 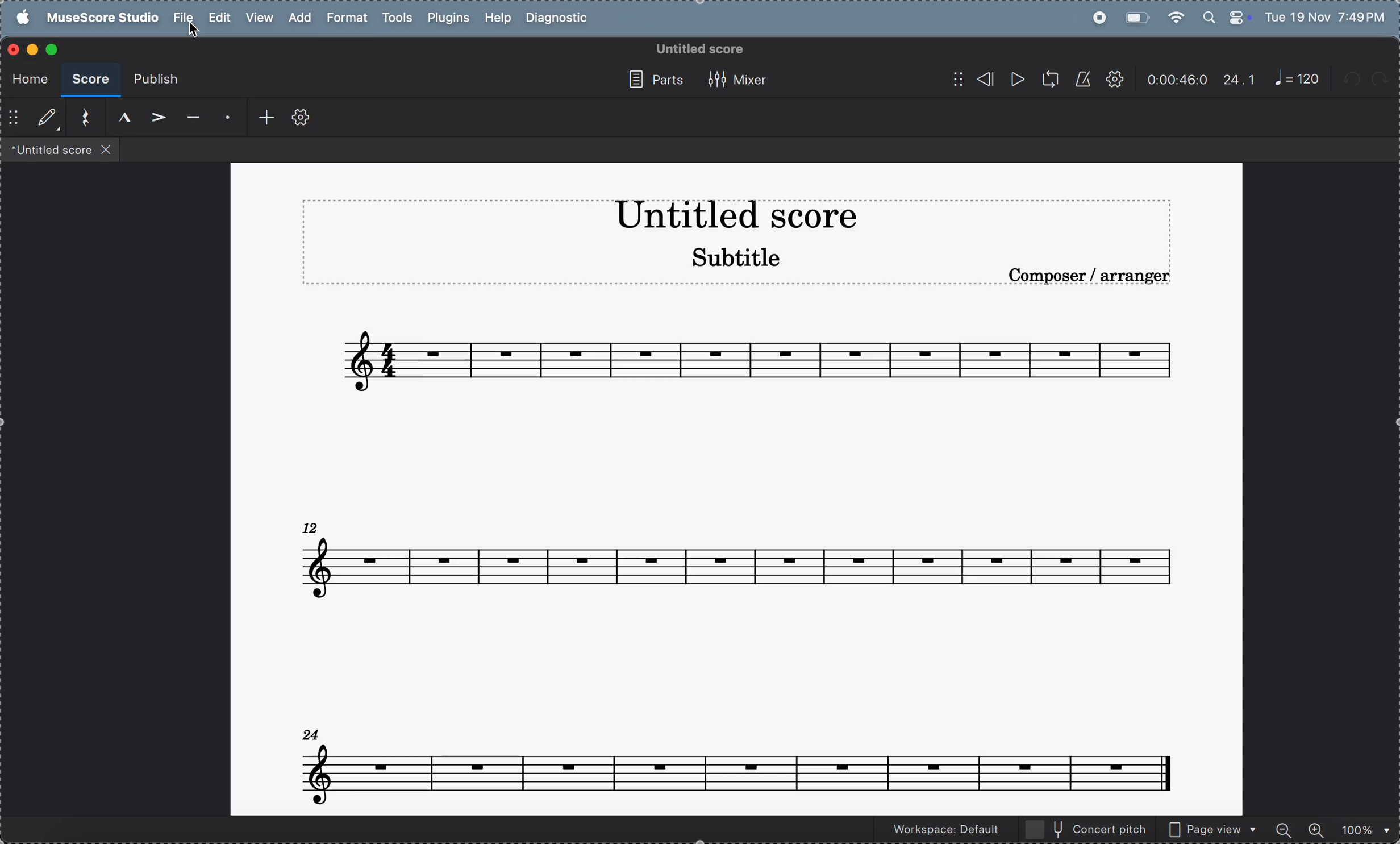 What do you see at coordinates (301, 118) in the screenshot?
I see `toolbar settings` at bounding box center [301, 118].